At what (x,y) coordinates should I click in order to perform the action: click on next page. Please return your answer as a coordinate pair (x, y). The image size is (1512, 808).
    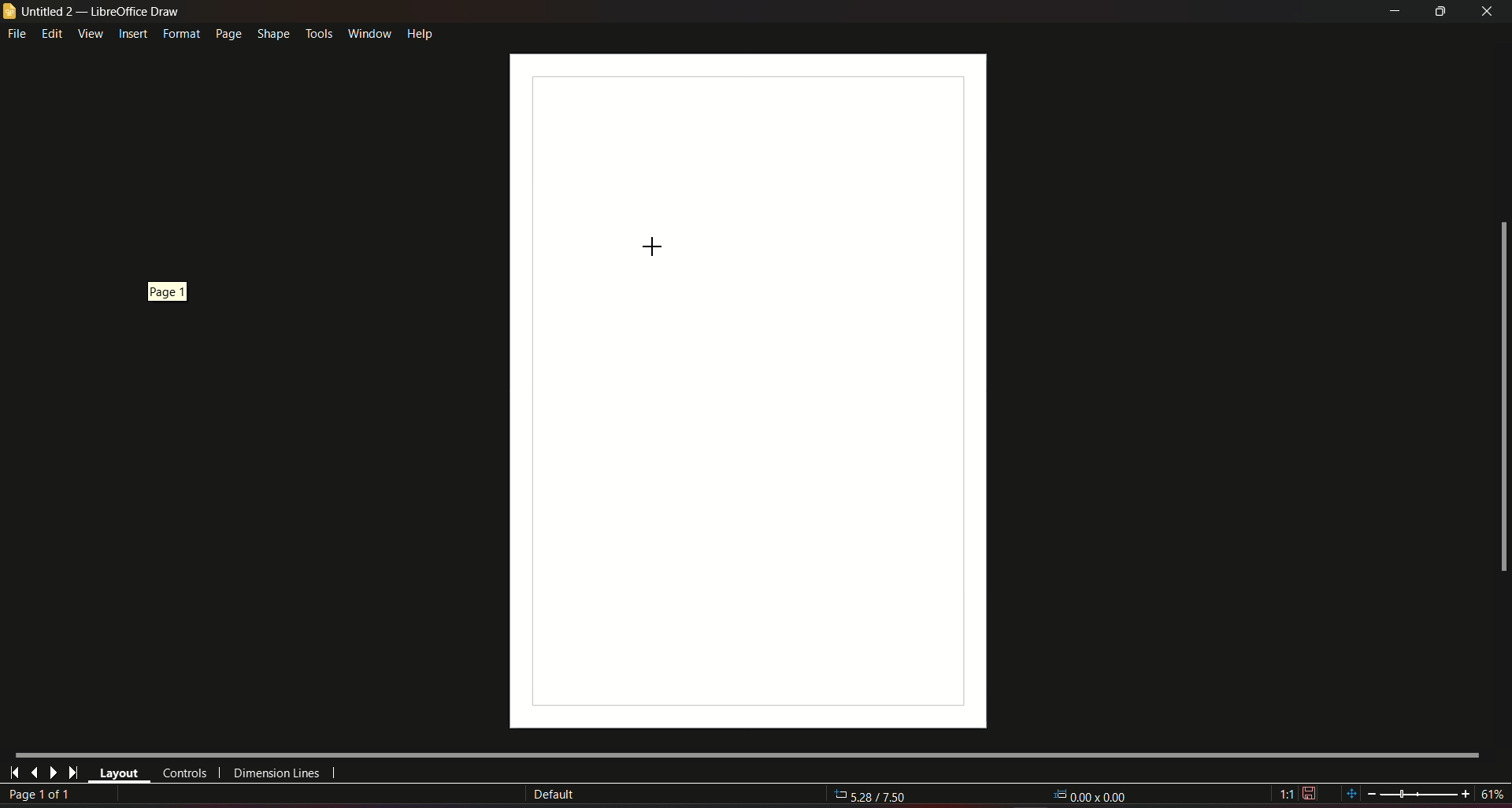
    Looking at the image, I should click on (53, 773).